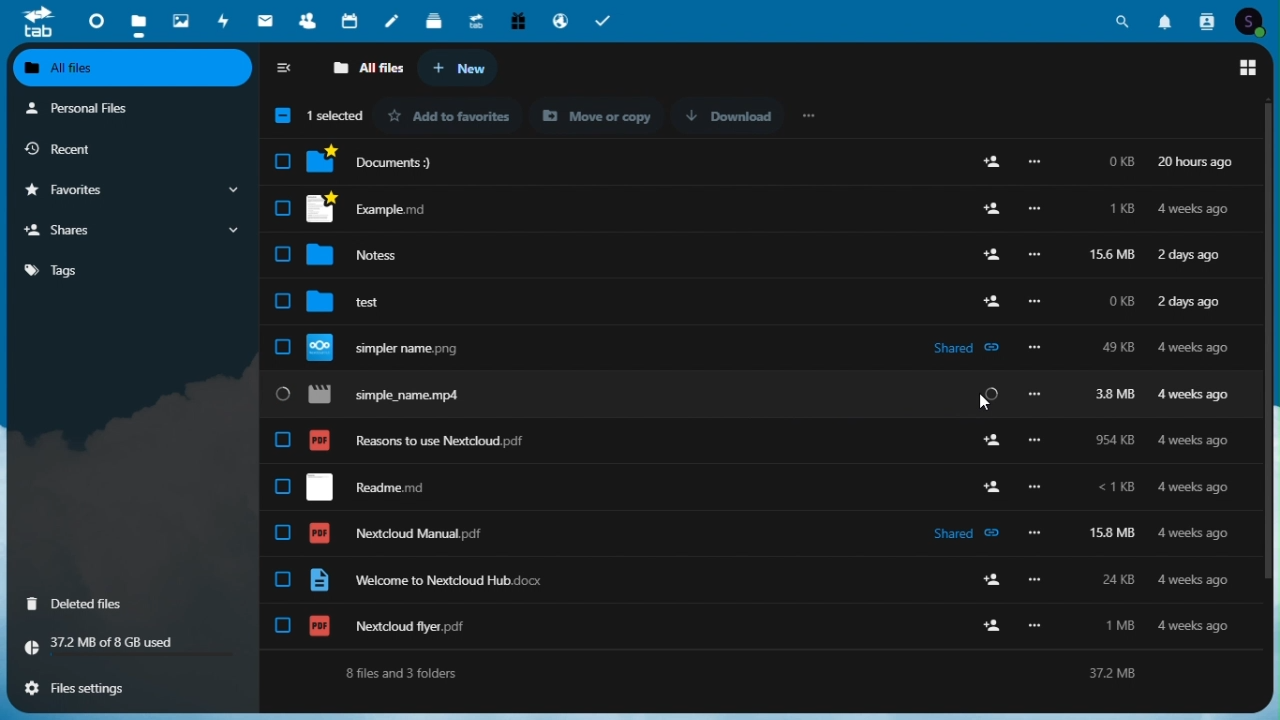  I want to click on All files, so click(369, 67).